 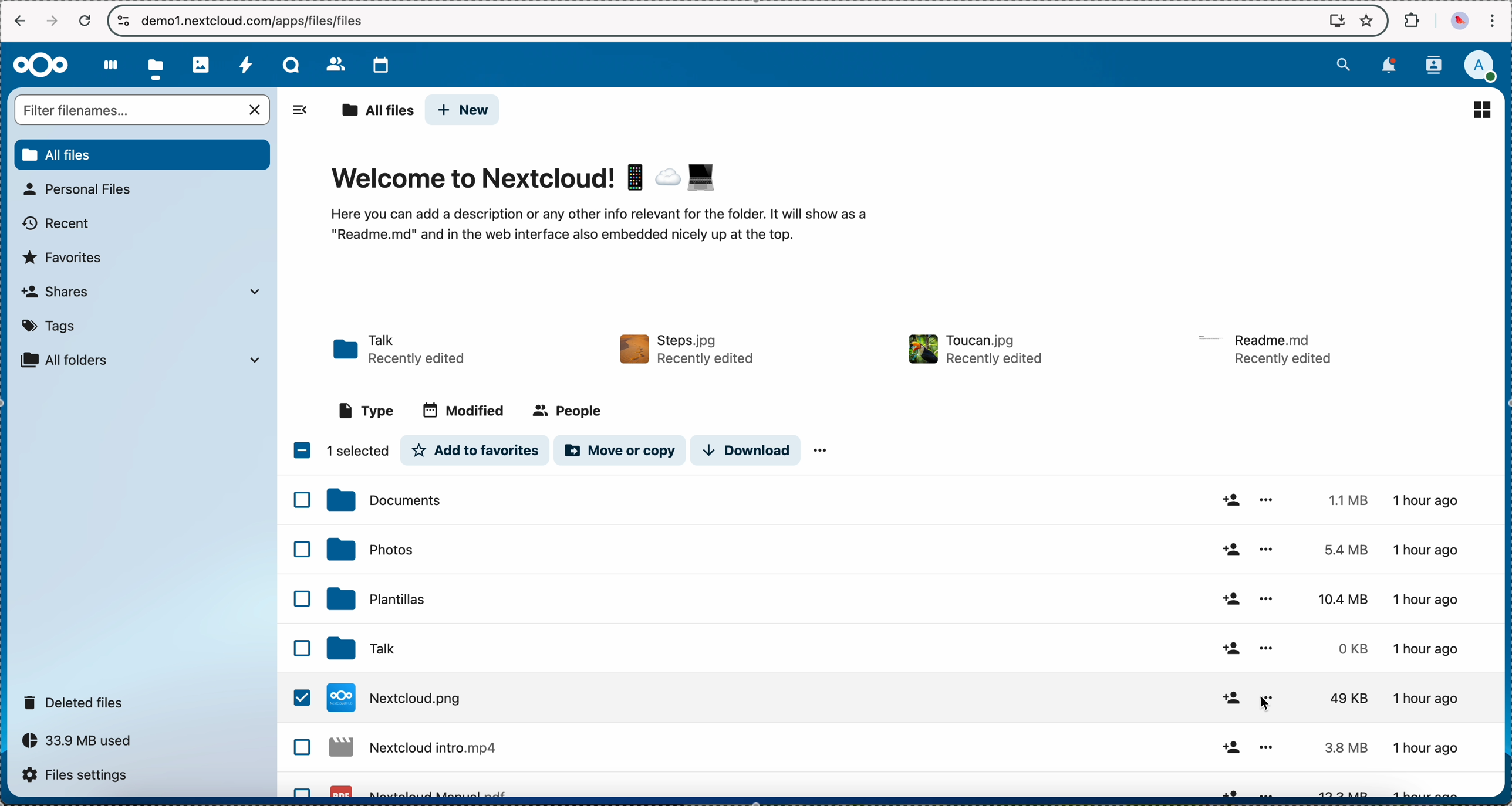 I want to click on Talk, so click(x=899, y=699).